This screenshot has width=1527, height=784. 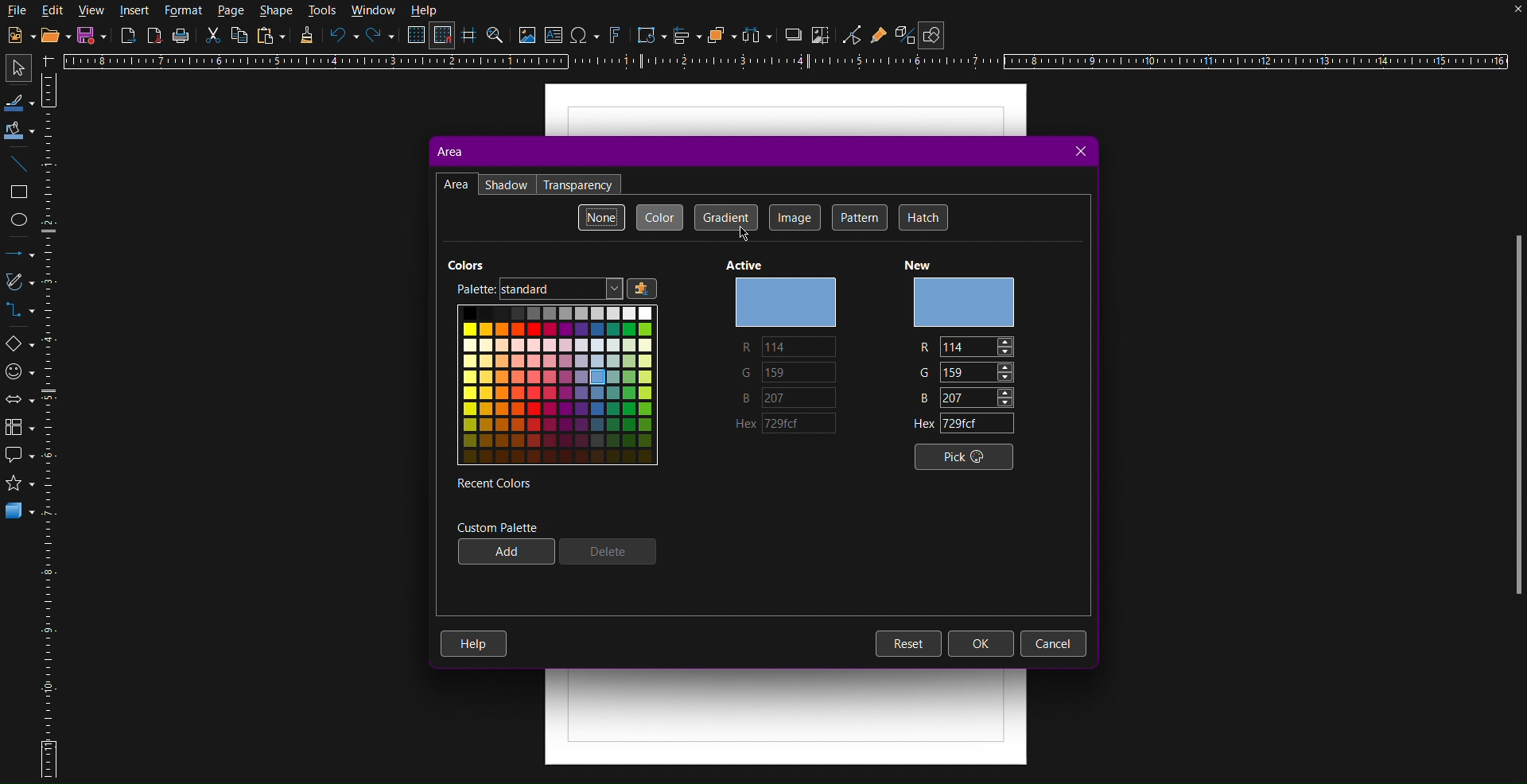 I want to click on Fontworks, so click(x=616, y=37).